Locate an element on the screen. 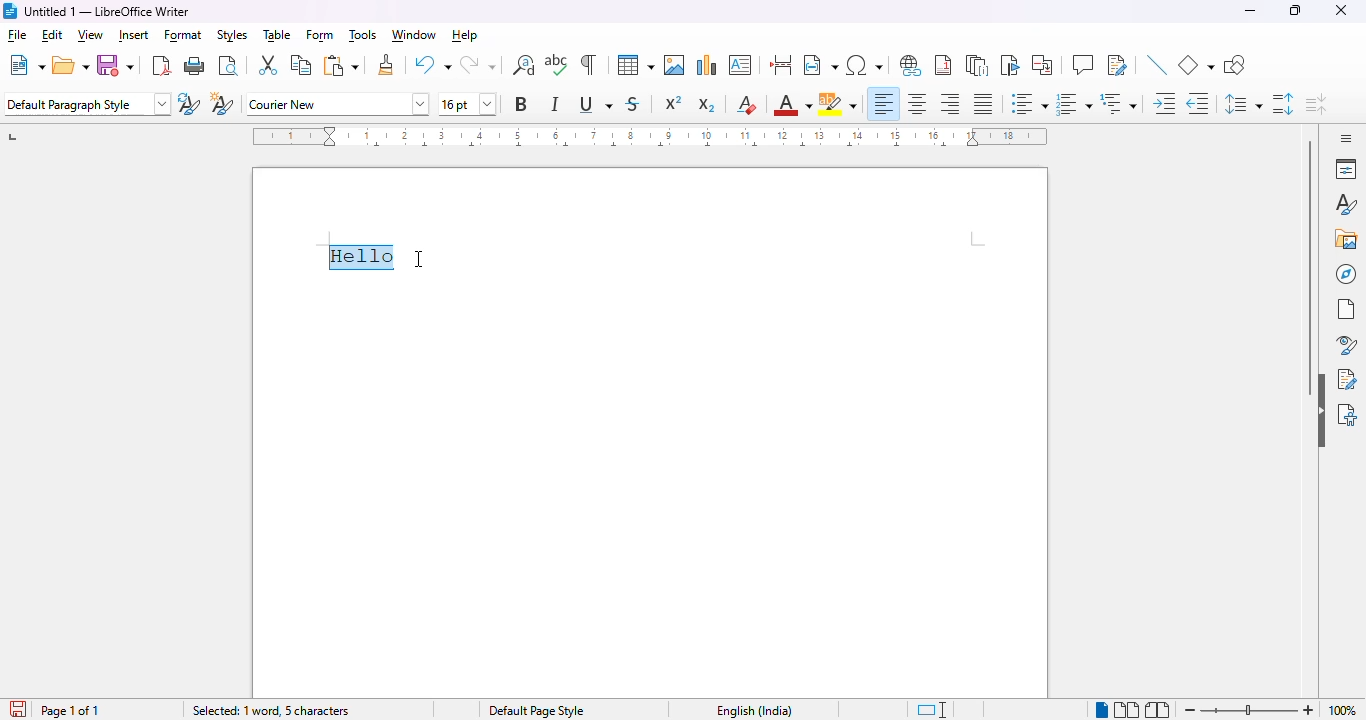 The image size is (1366, 720). ruler is located at coordinates (647, 135).